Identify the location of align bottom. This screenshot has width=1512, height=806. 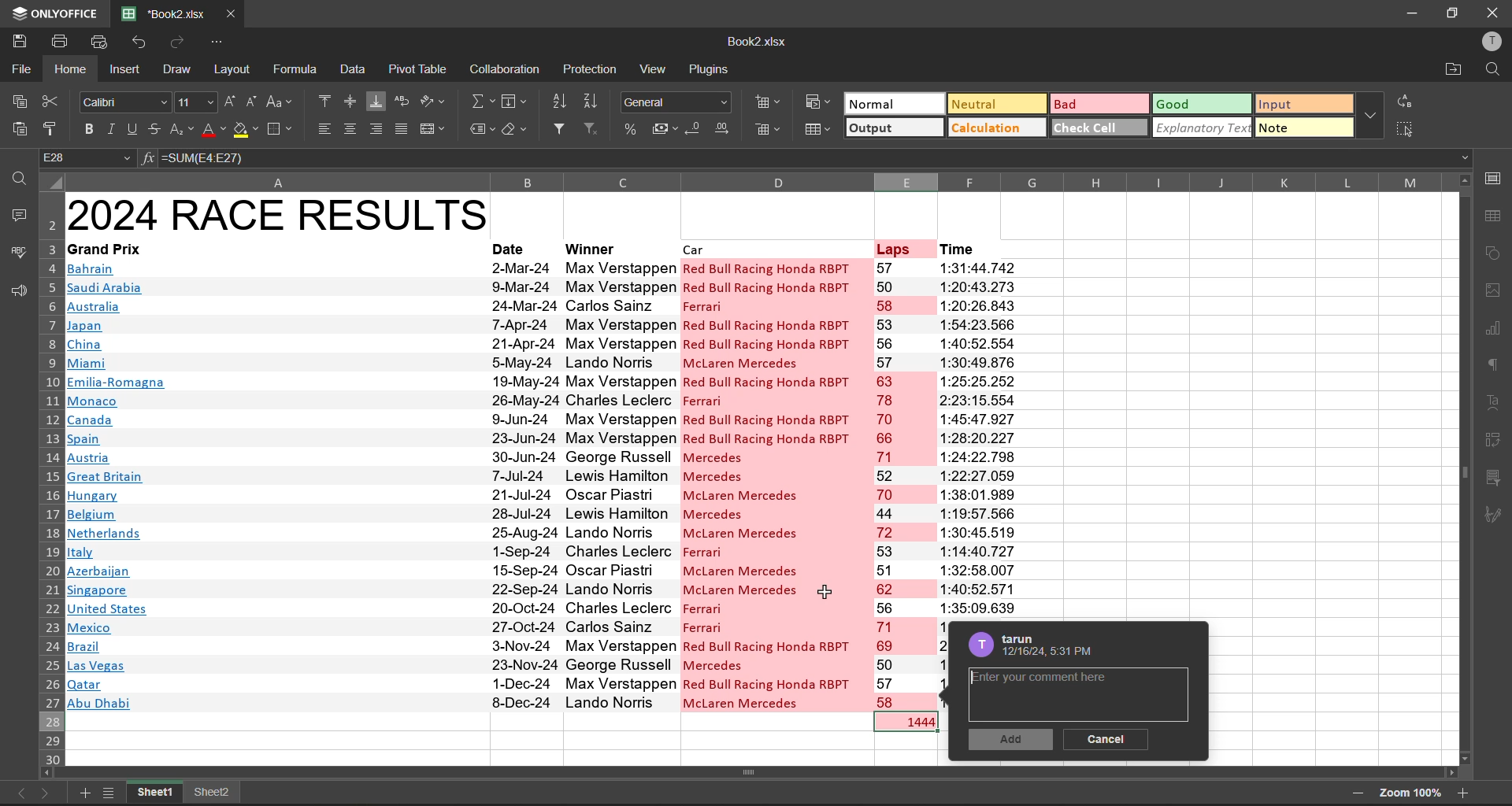
(375, 100).